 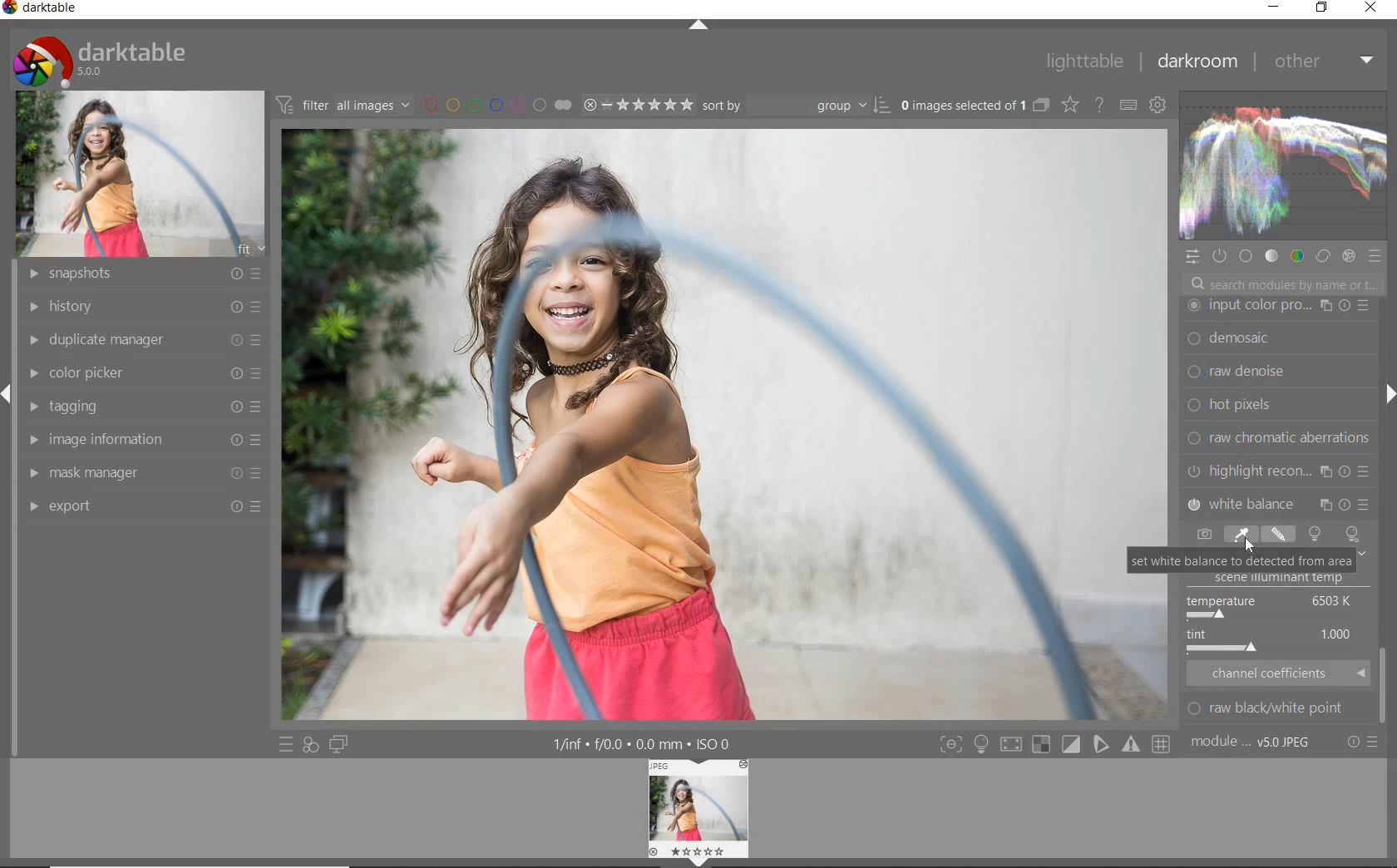 What do you see at coordinates (1274, 372) in the screenshot?
I see `dither or paste` at bounding box center [1274, 372].